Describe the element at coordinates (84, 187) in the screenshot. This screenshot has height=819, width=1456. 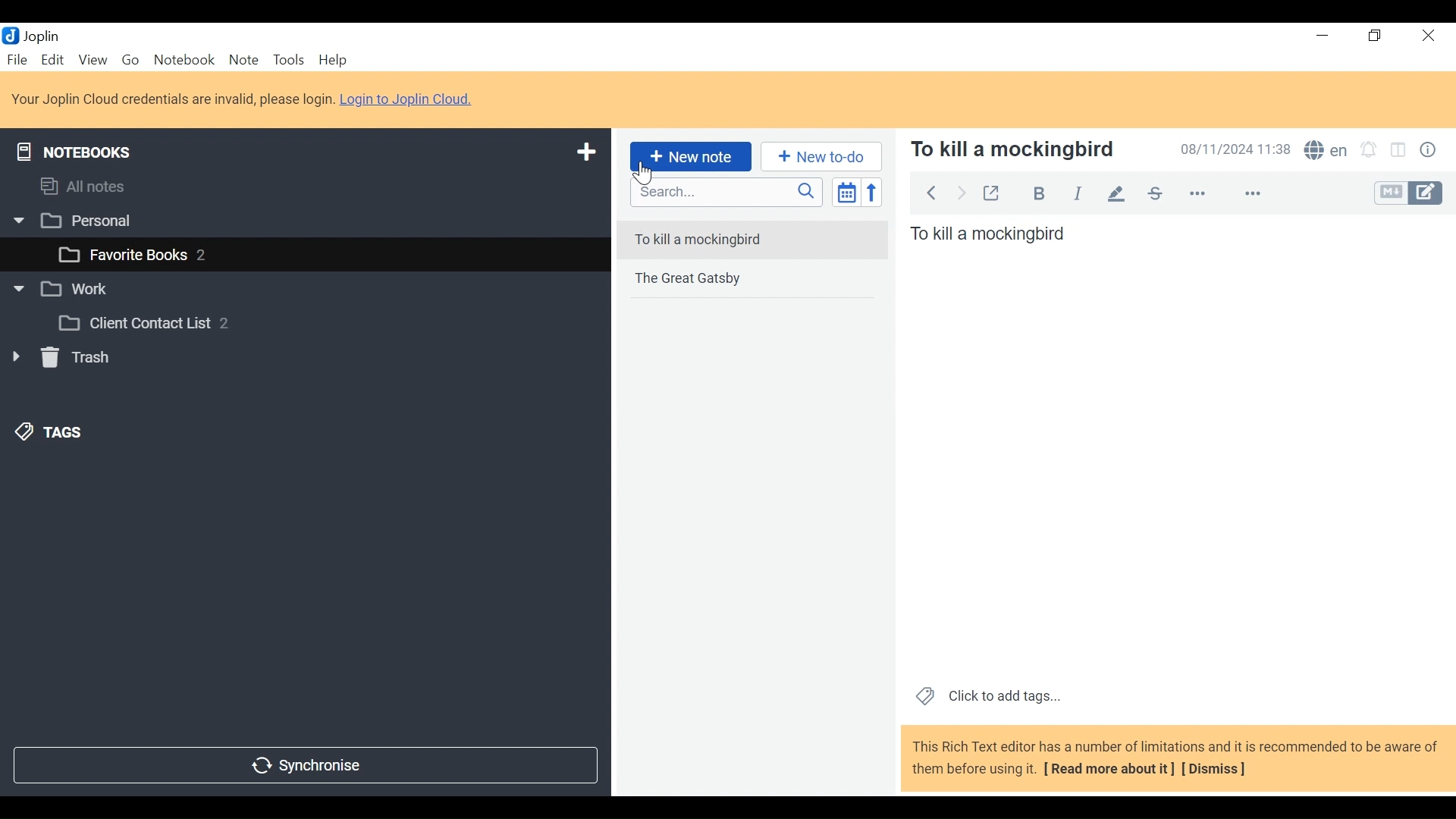
I see `All notes` at that location.